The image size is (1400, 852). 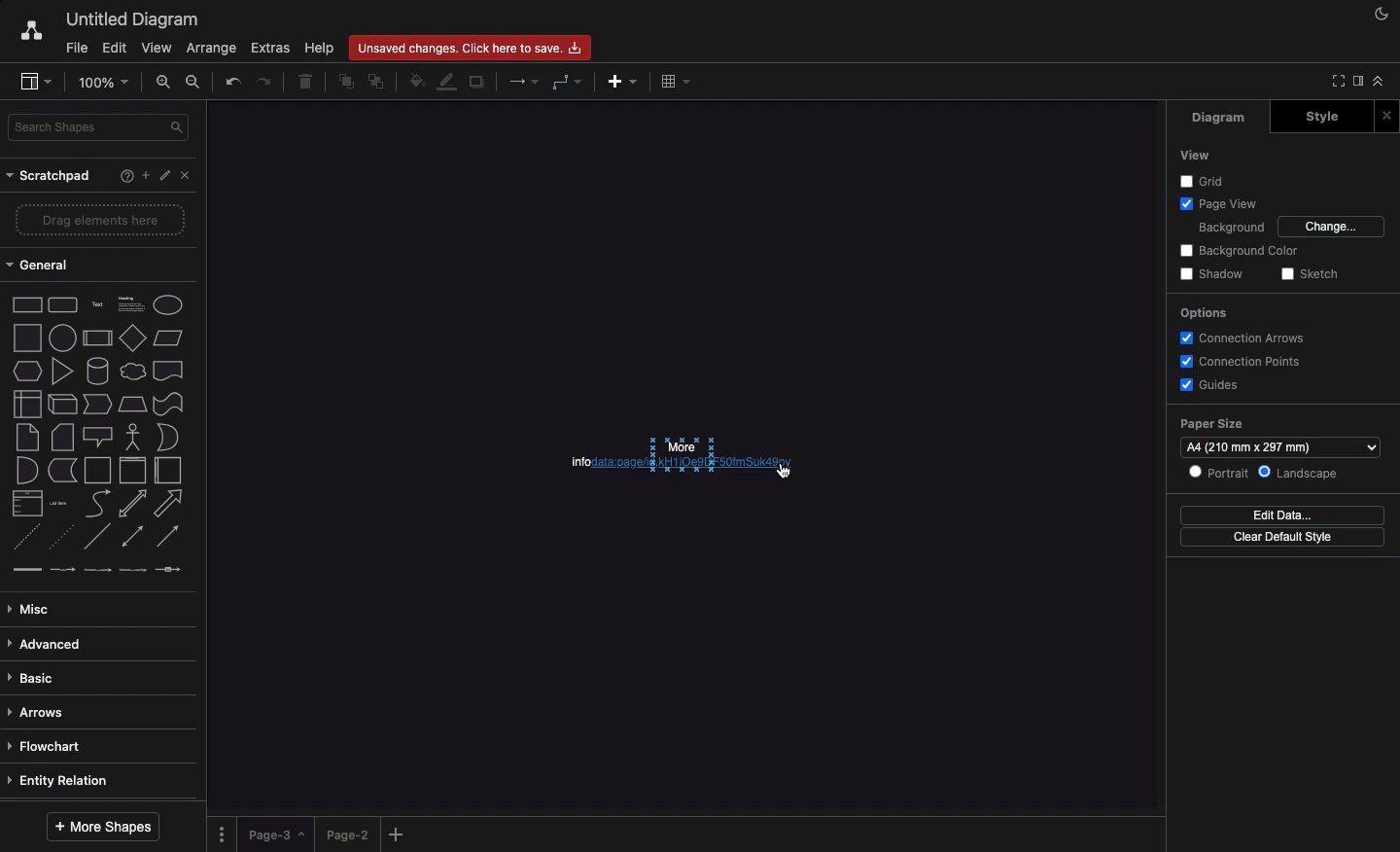 What do you see at coordinates (623, 82) in the screenshot?
I see `Add` at bounding box center [623, 82].